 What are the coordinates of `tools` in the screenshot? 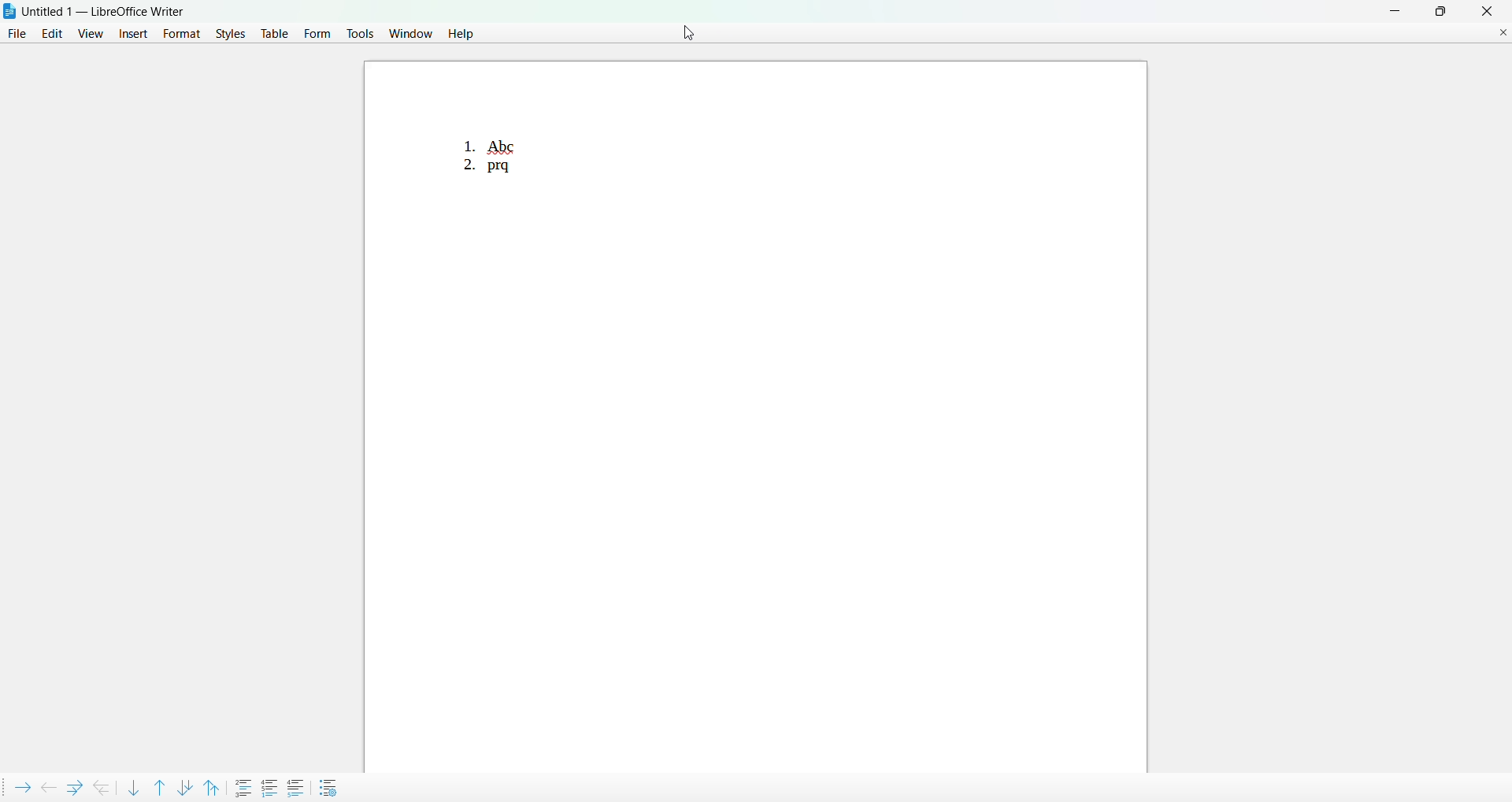 It's located at (360, 32).